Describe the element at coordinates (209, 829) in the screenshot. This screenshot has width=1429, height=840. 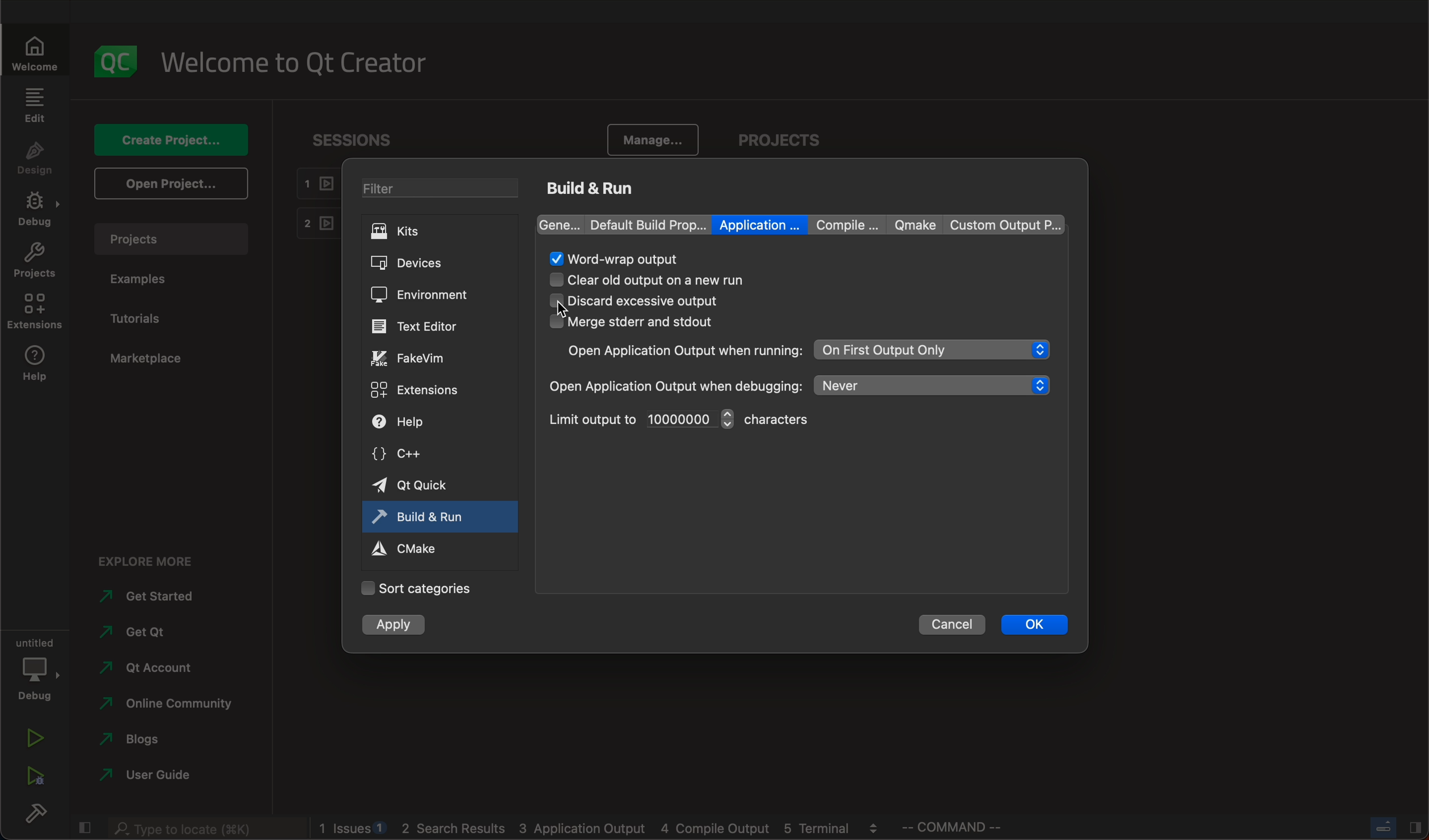
I see `search` at that location.